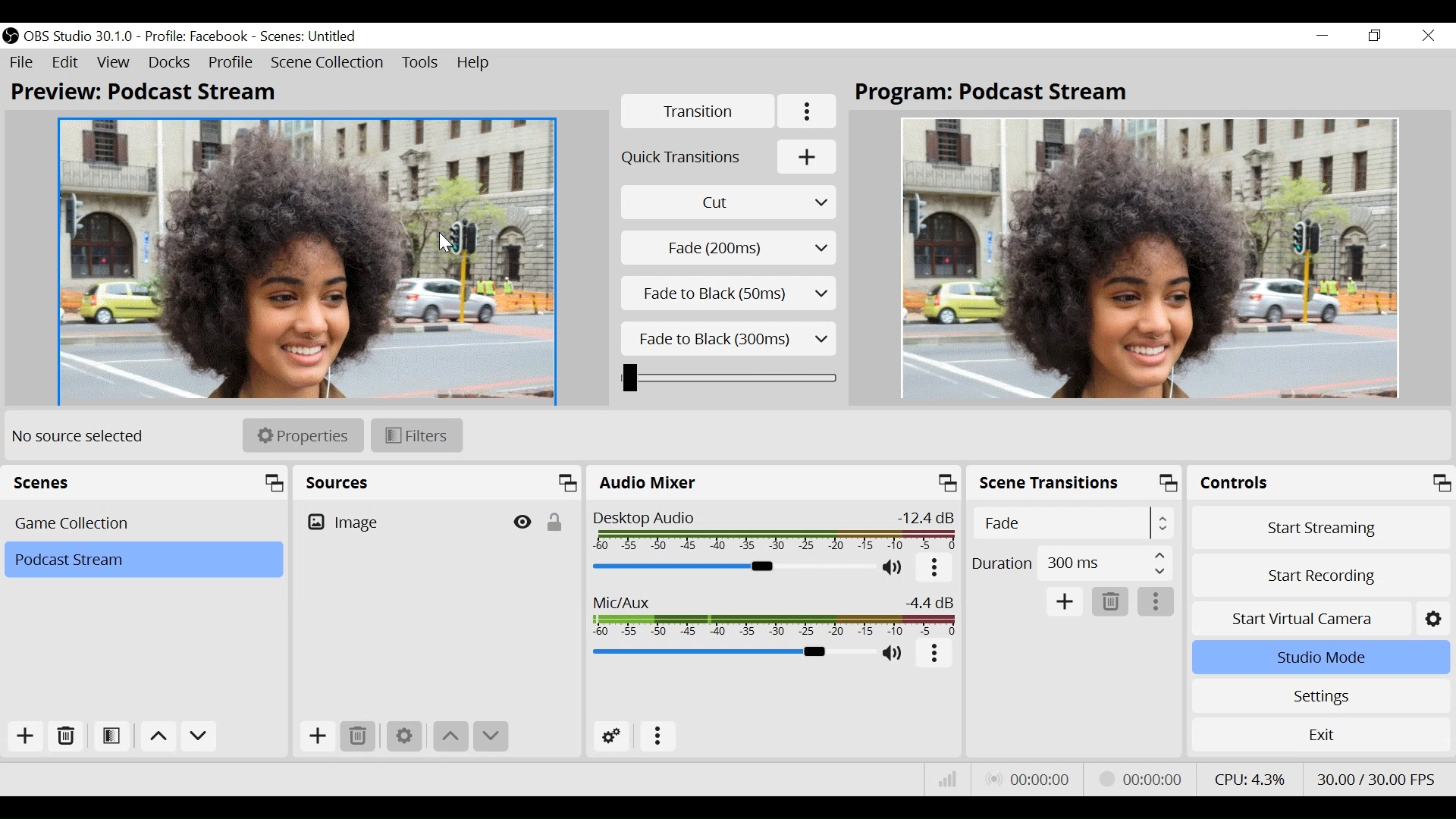 Image resolution: width=1456 pixels, height=819 pixels. Describe the element at coordinates (729, 378) in the screenshot. I see `Duration Slider` at that location.